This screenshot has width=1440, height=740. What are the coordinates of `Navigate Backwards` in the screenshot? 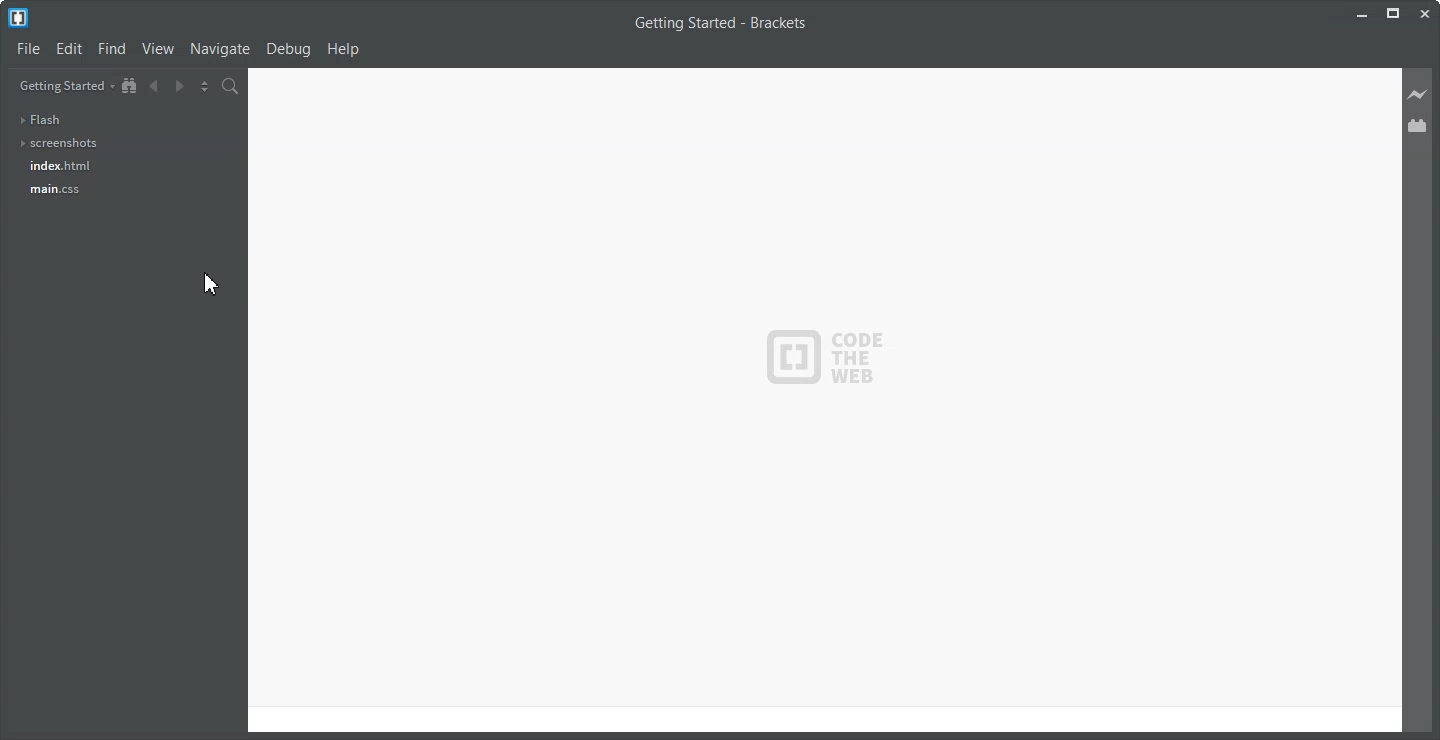 It's located at (153, 86).